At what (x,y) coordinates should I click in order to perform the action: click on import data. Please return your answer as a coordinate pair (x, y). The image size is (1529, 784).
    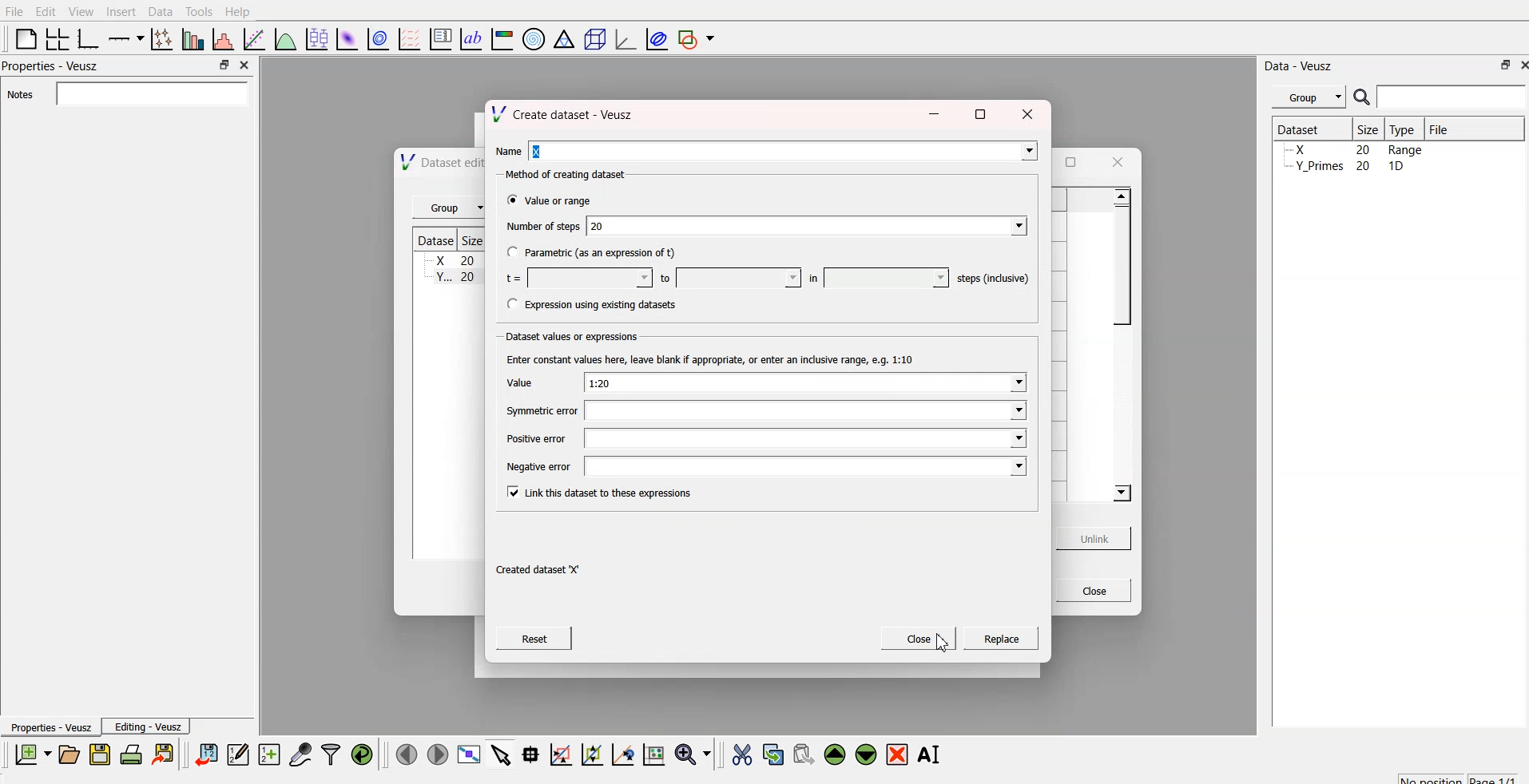
    Looking at the image, I should click on (207, 752).